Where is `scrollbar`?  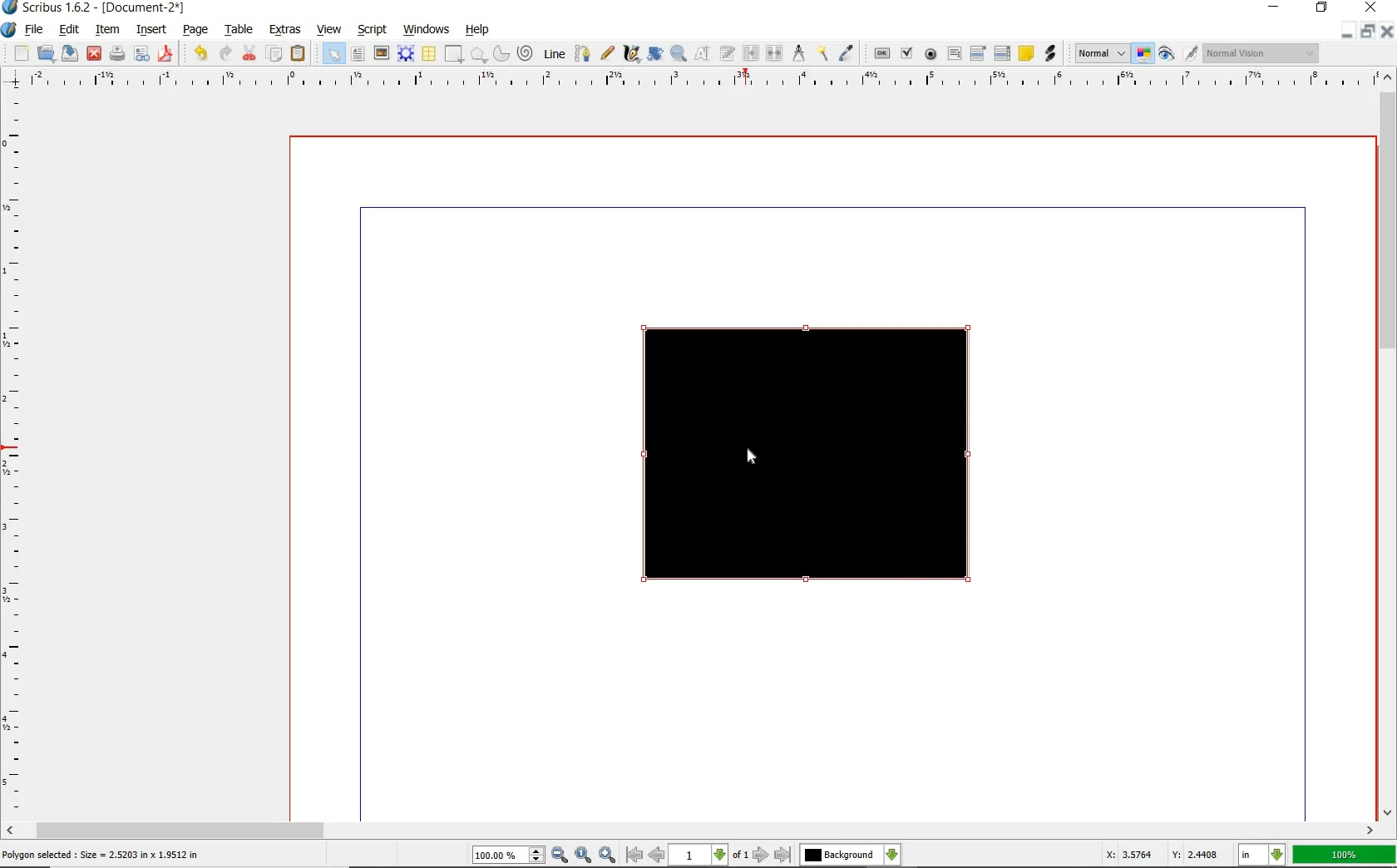 scrollbar is located at coordinates (1387, 445).